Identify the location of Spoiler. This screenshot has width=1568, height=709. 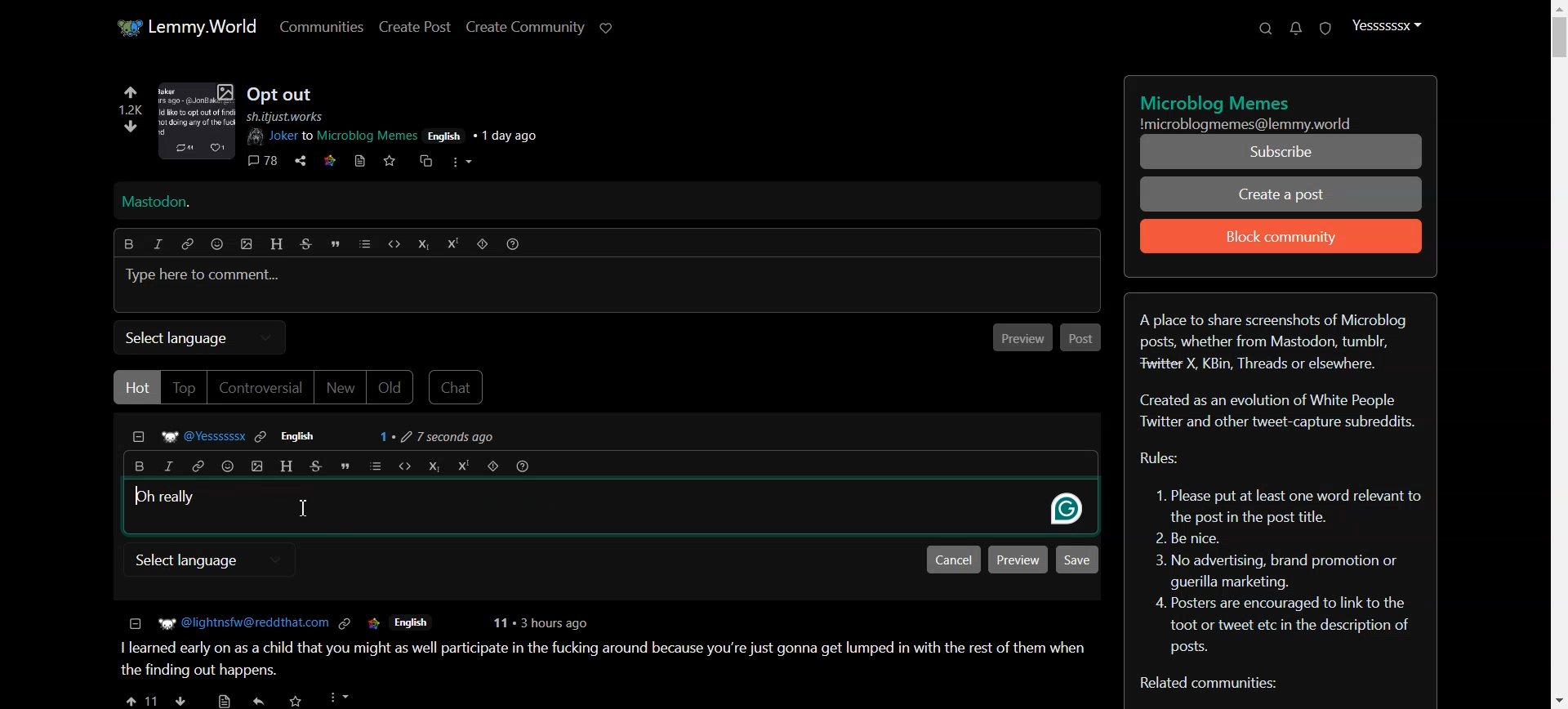
(483, 244).